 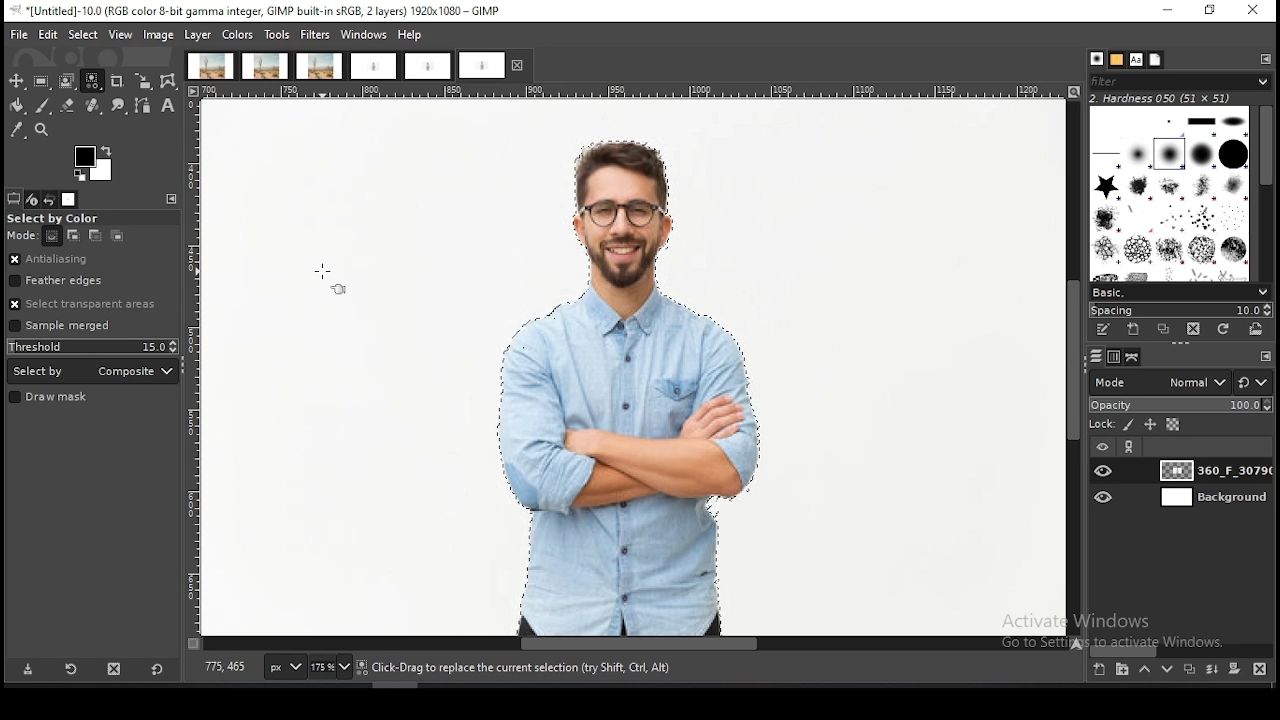 I want to click on hardness 050 (51x51), so click(x=1161, y=98).